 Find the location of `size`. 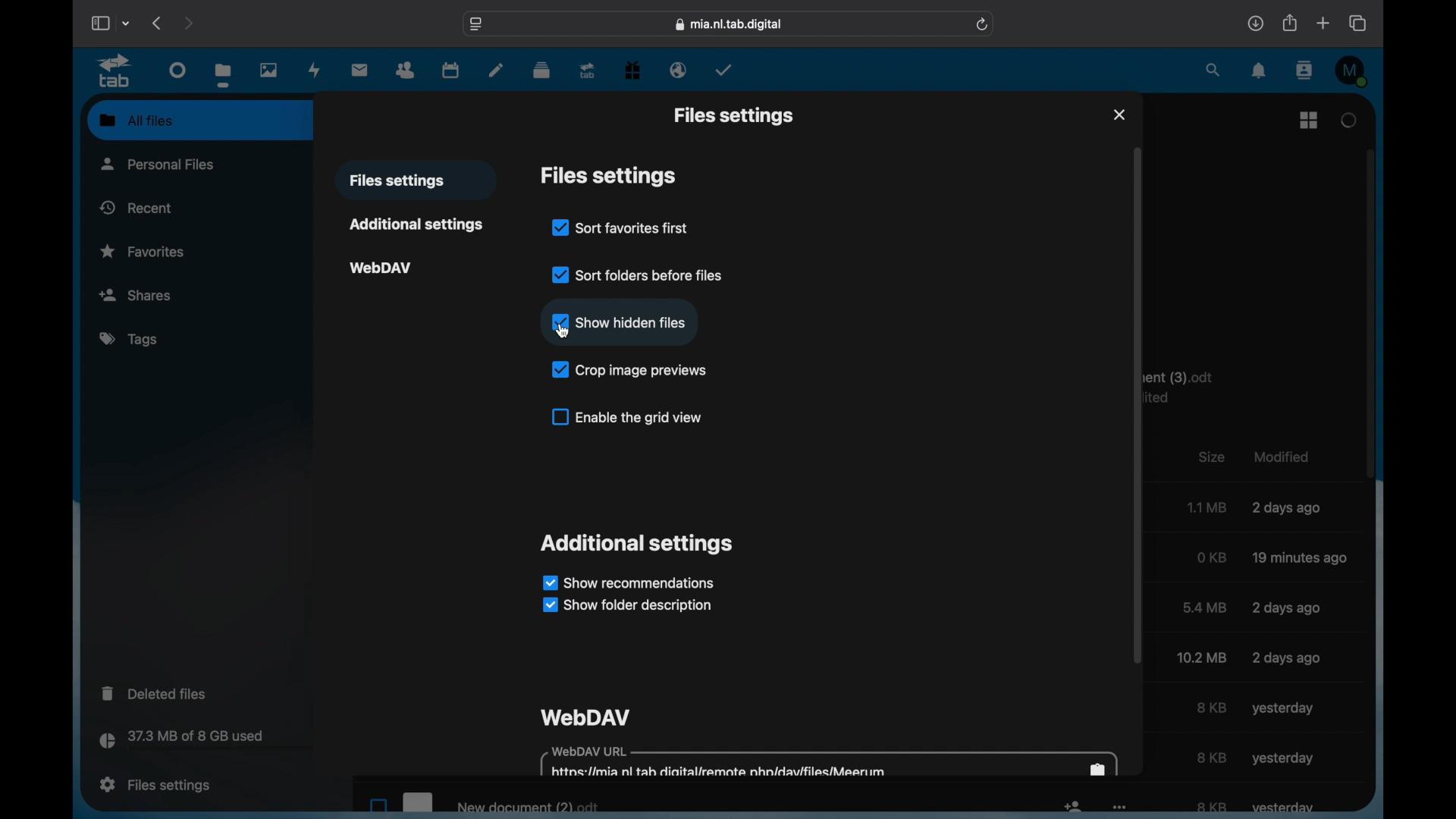

size is located at coordinates (1212, 757).